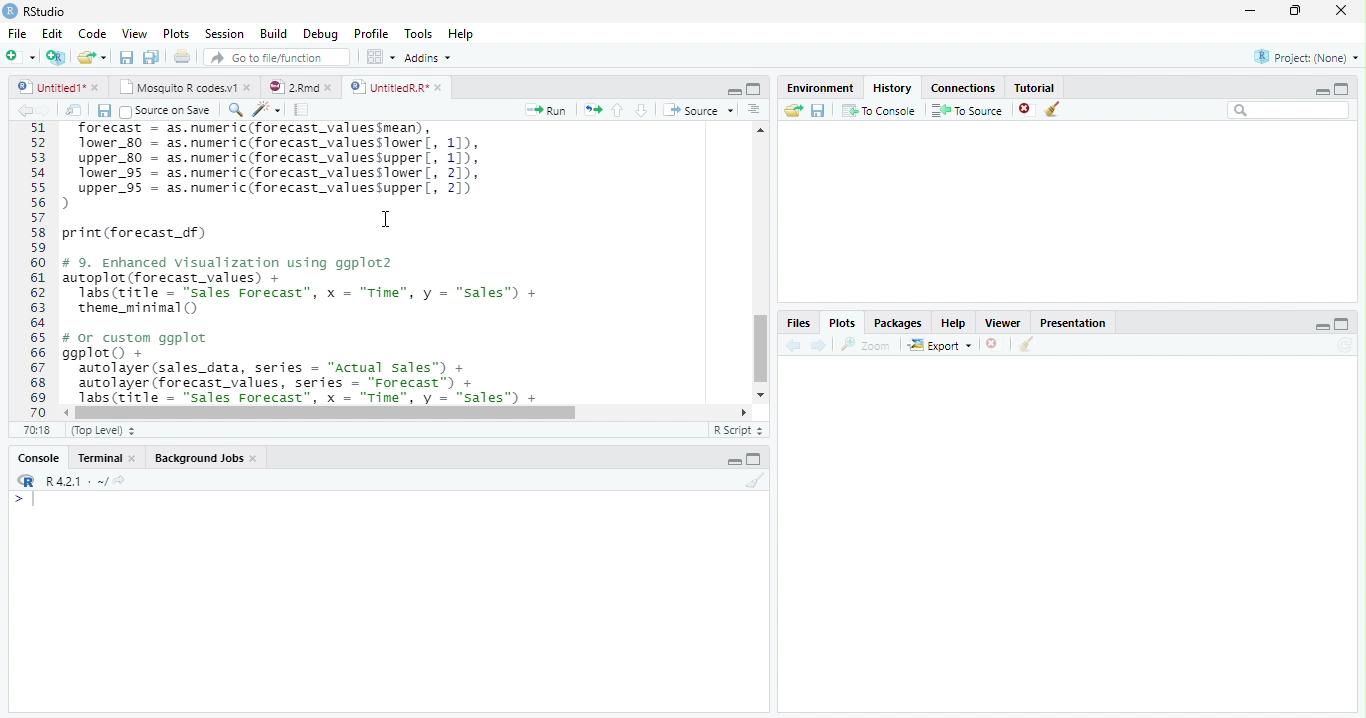  I want to click on Plots, so click(175, 32).